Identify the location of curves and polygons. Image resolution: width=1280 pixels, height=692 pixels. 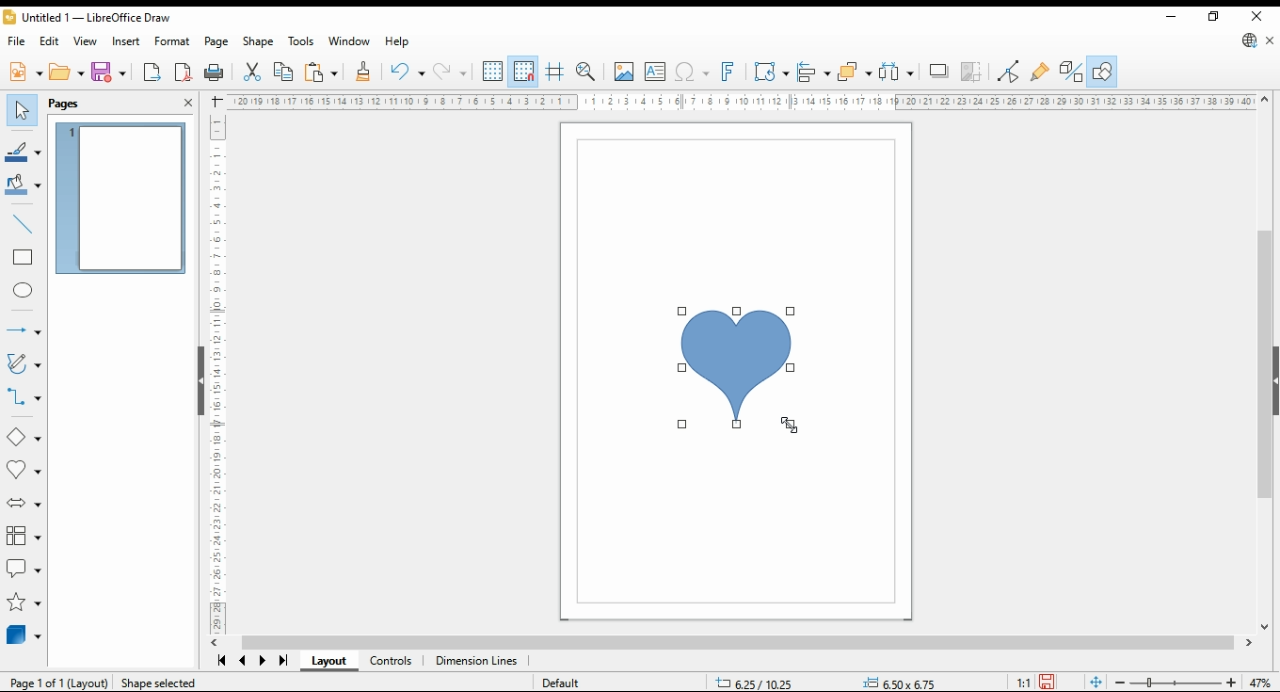
(24, 364).